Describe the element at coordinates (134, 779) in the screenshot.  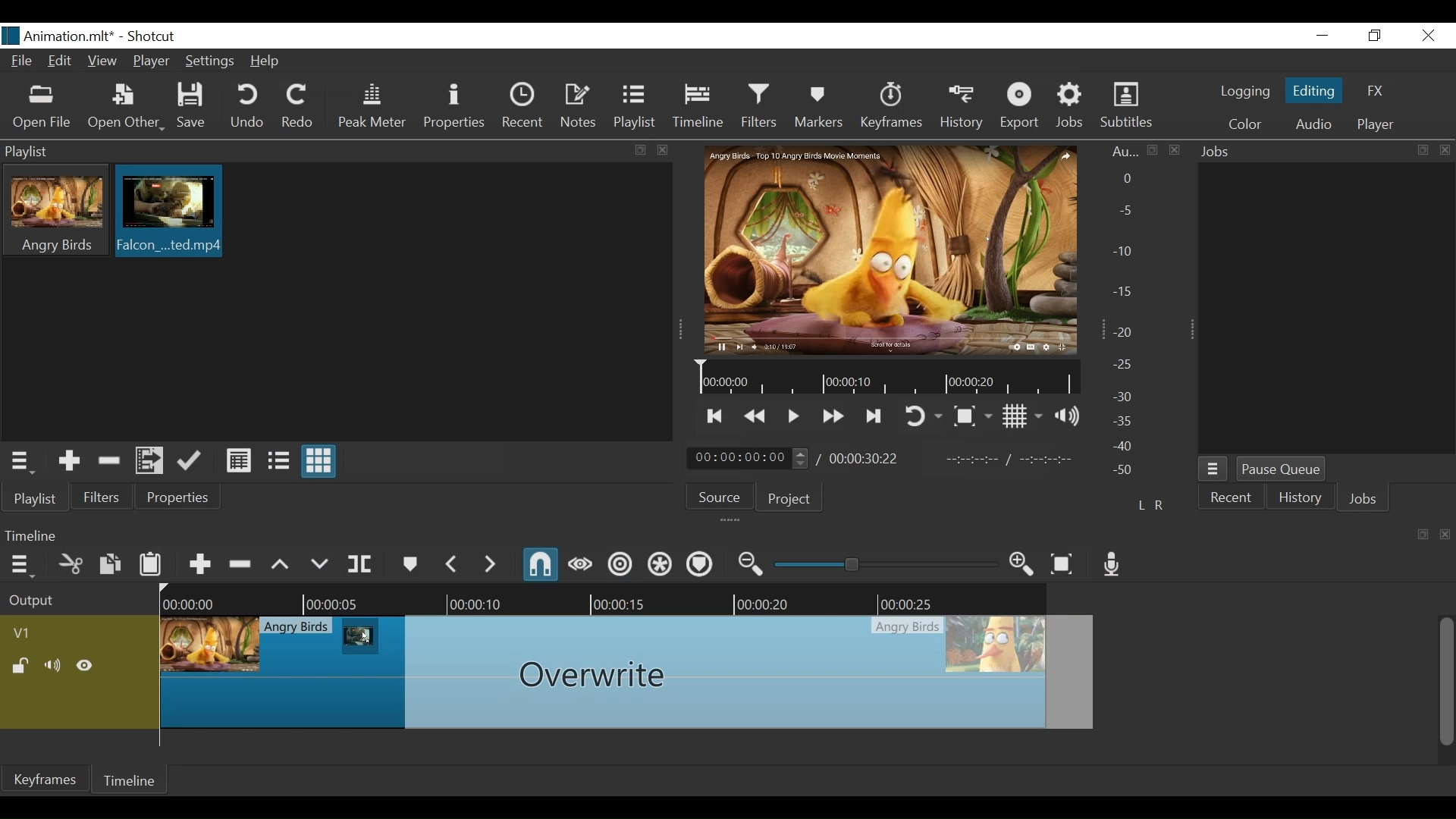
I see `Timeline` at that location.